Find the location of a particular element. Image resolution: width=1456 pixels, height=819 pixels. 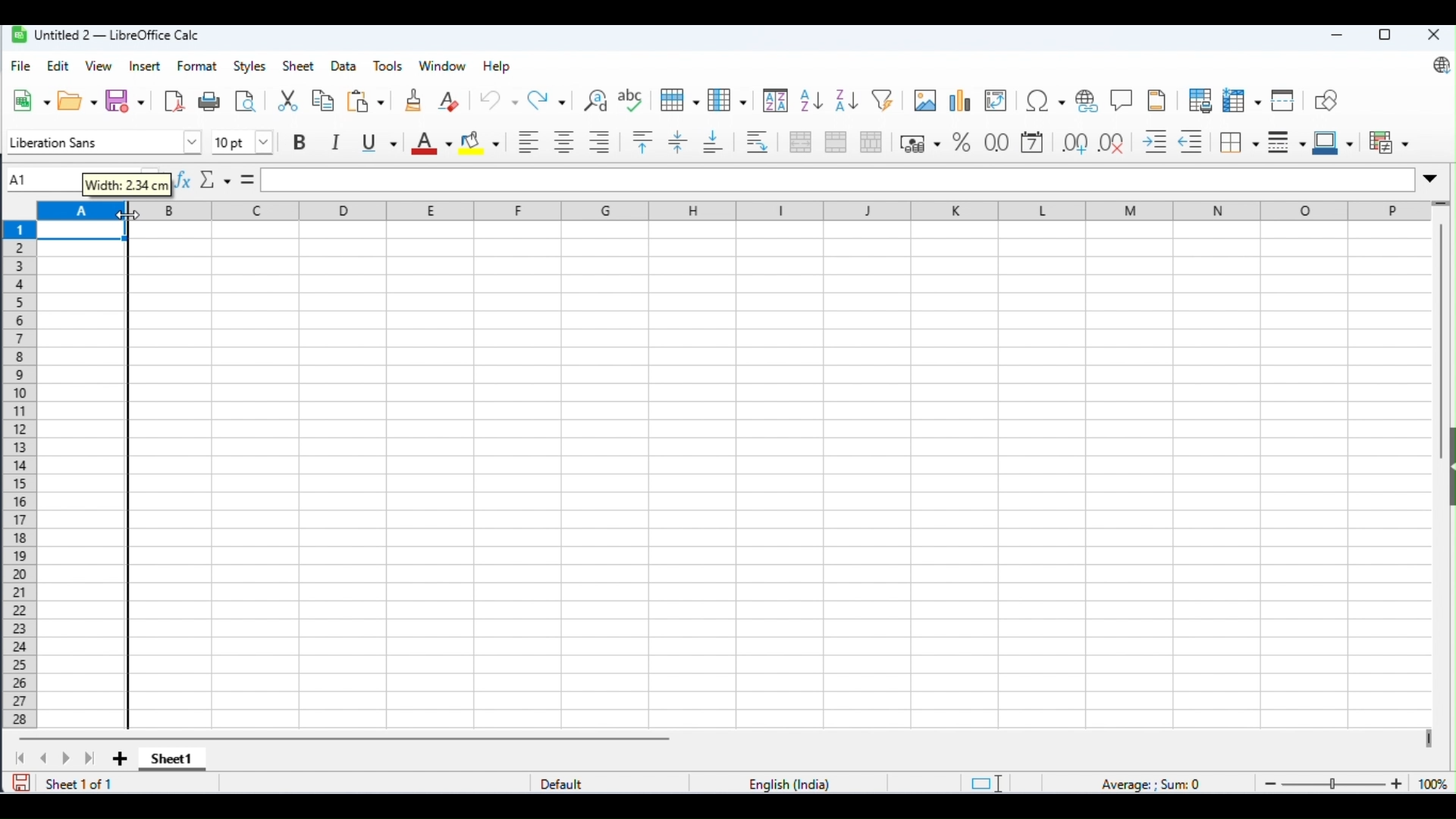

formula is located at coordinates (1154, 783).